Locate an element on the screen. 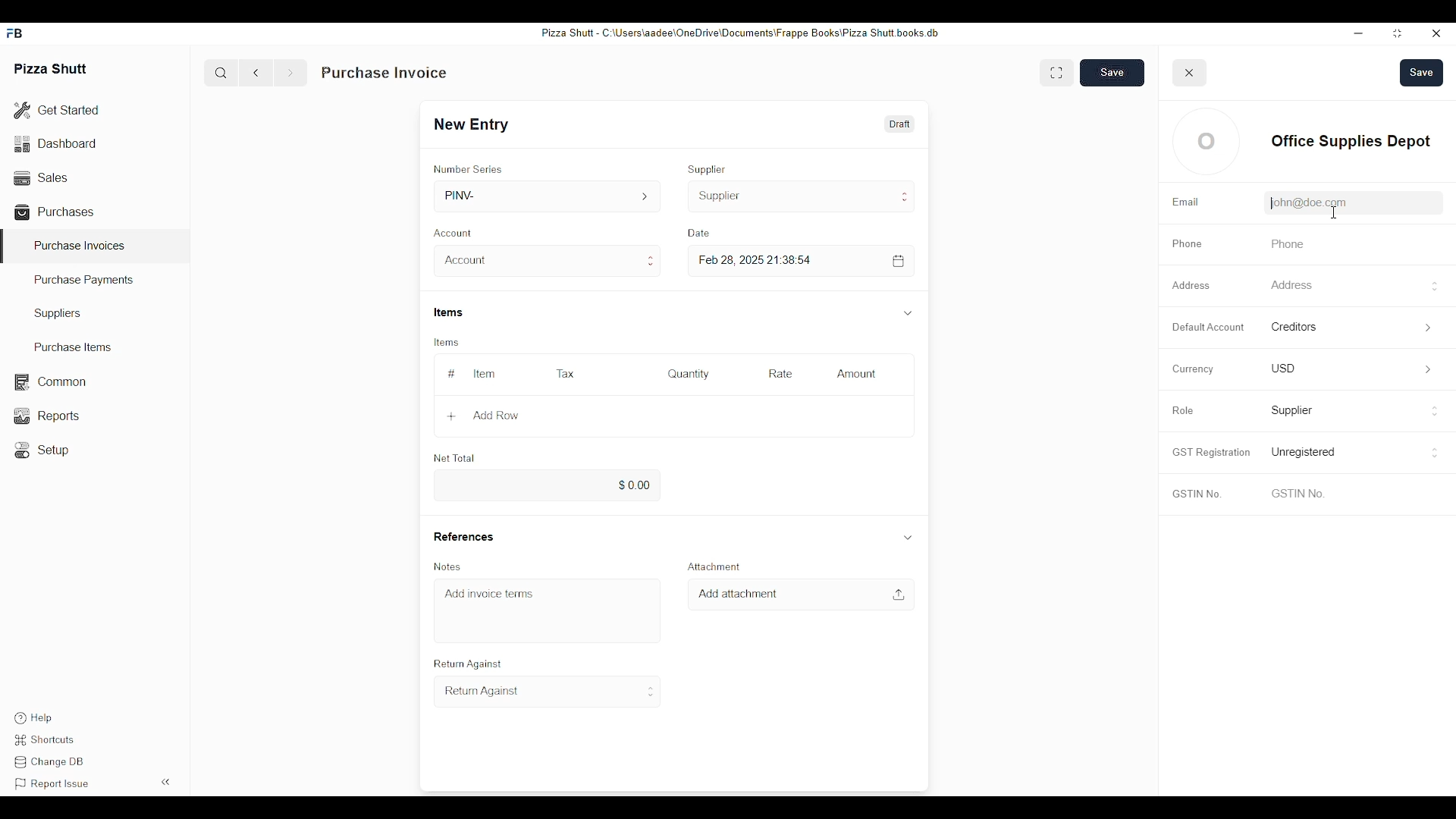  Phone is located at coordinates (1187, 244).